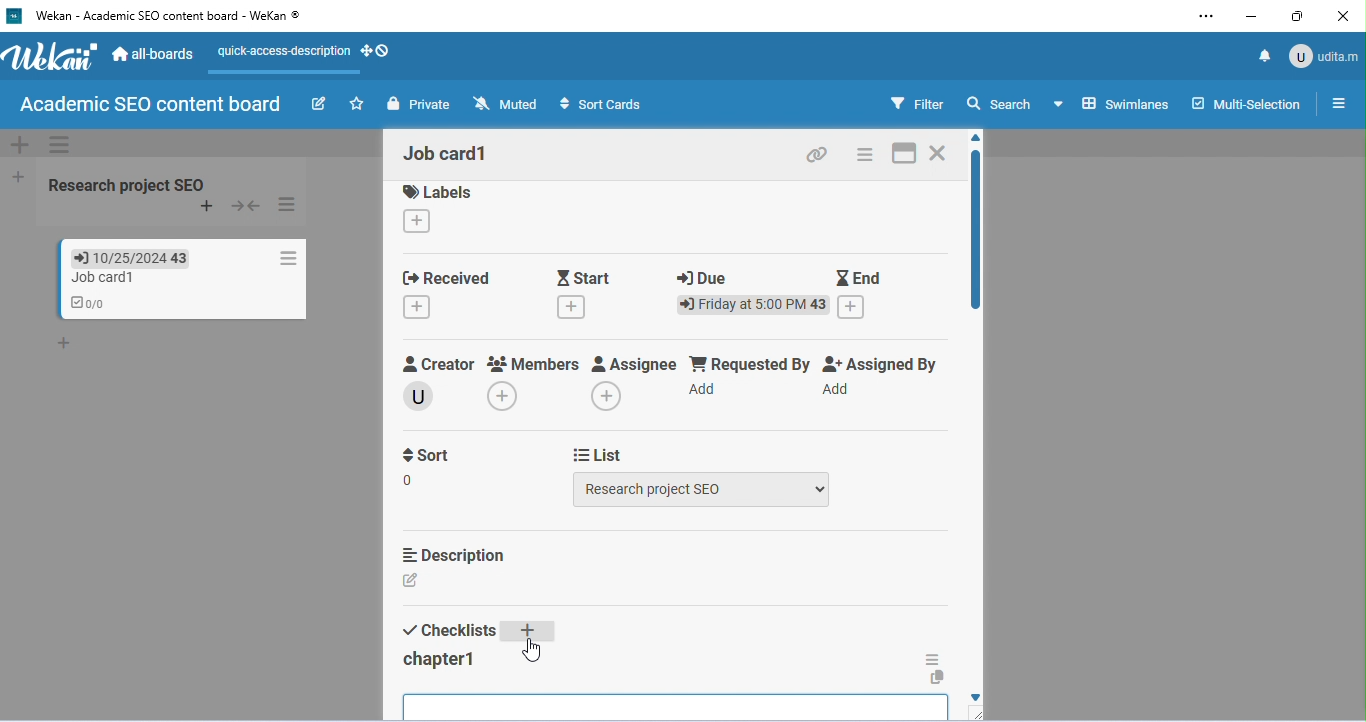 The height and width of the screenshot is (722, 1366). Describe the element at coordinates (411, 582) in the screenshot. I see `add description` at that location.